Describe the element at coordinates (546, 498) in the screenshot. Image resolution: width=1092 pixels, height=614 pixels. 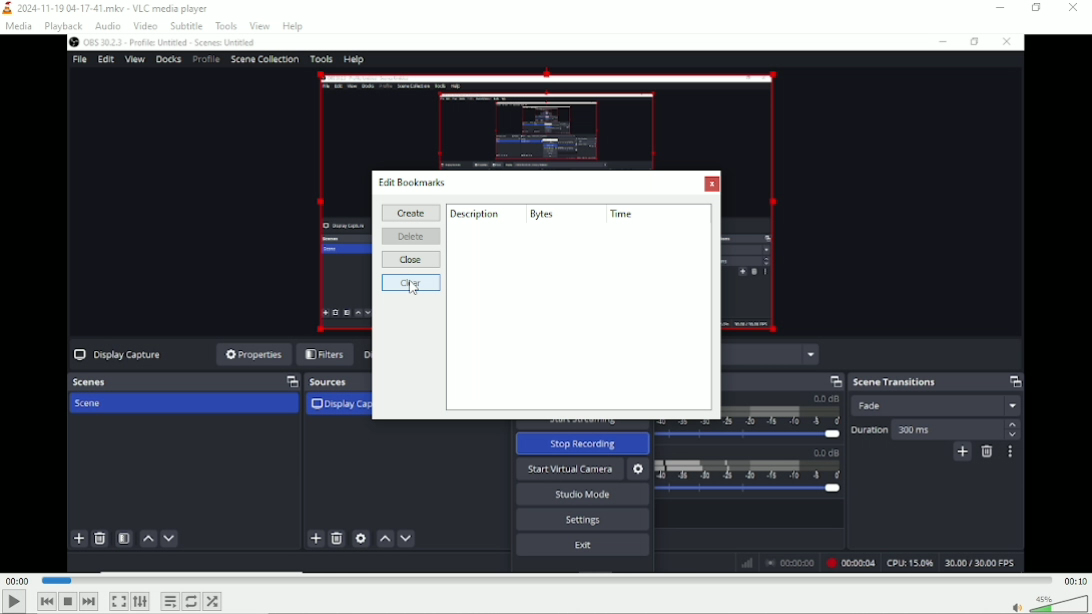
I see `Video` at that location.